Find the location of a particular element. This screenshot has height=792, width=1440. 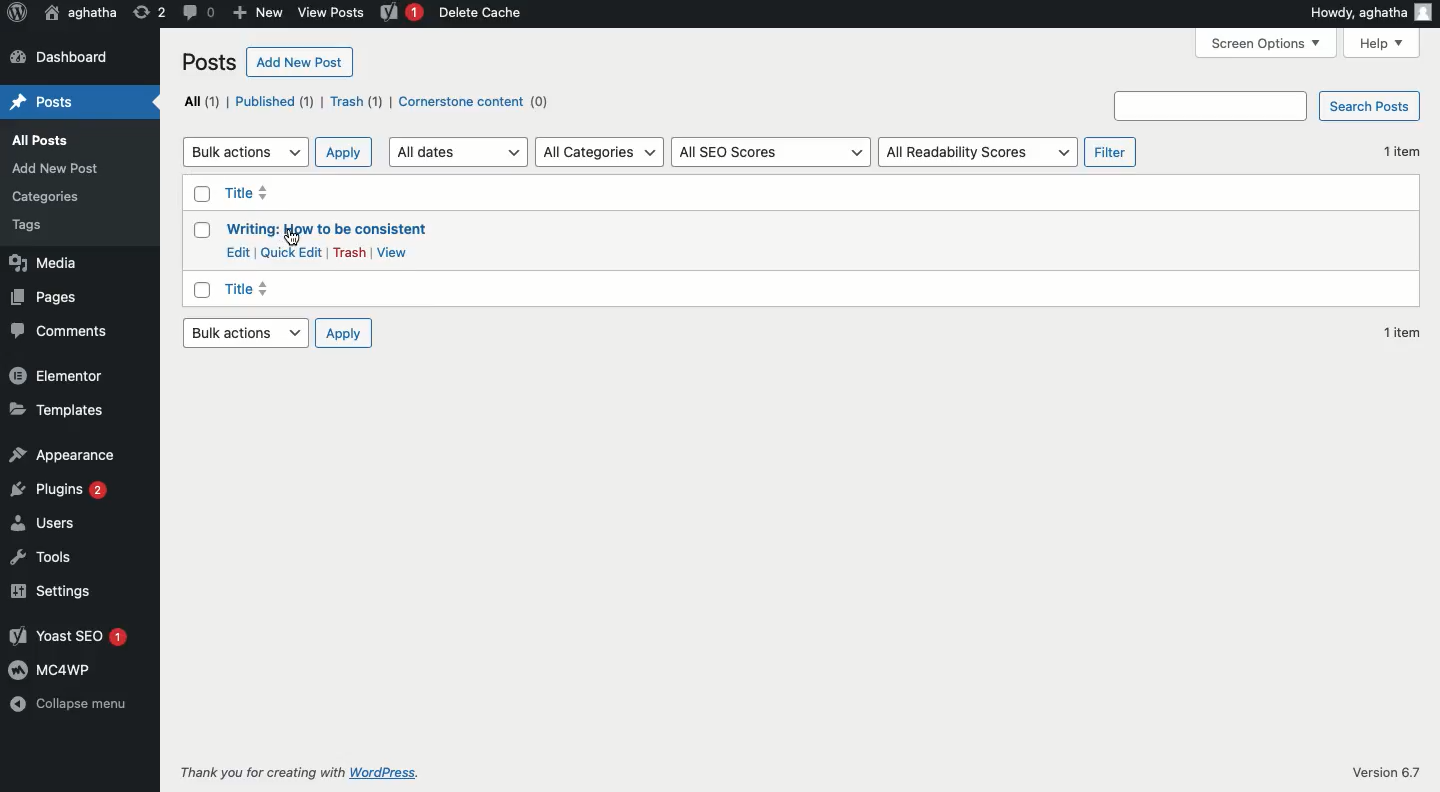

Delete cache is located at coordinates (493, 14).